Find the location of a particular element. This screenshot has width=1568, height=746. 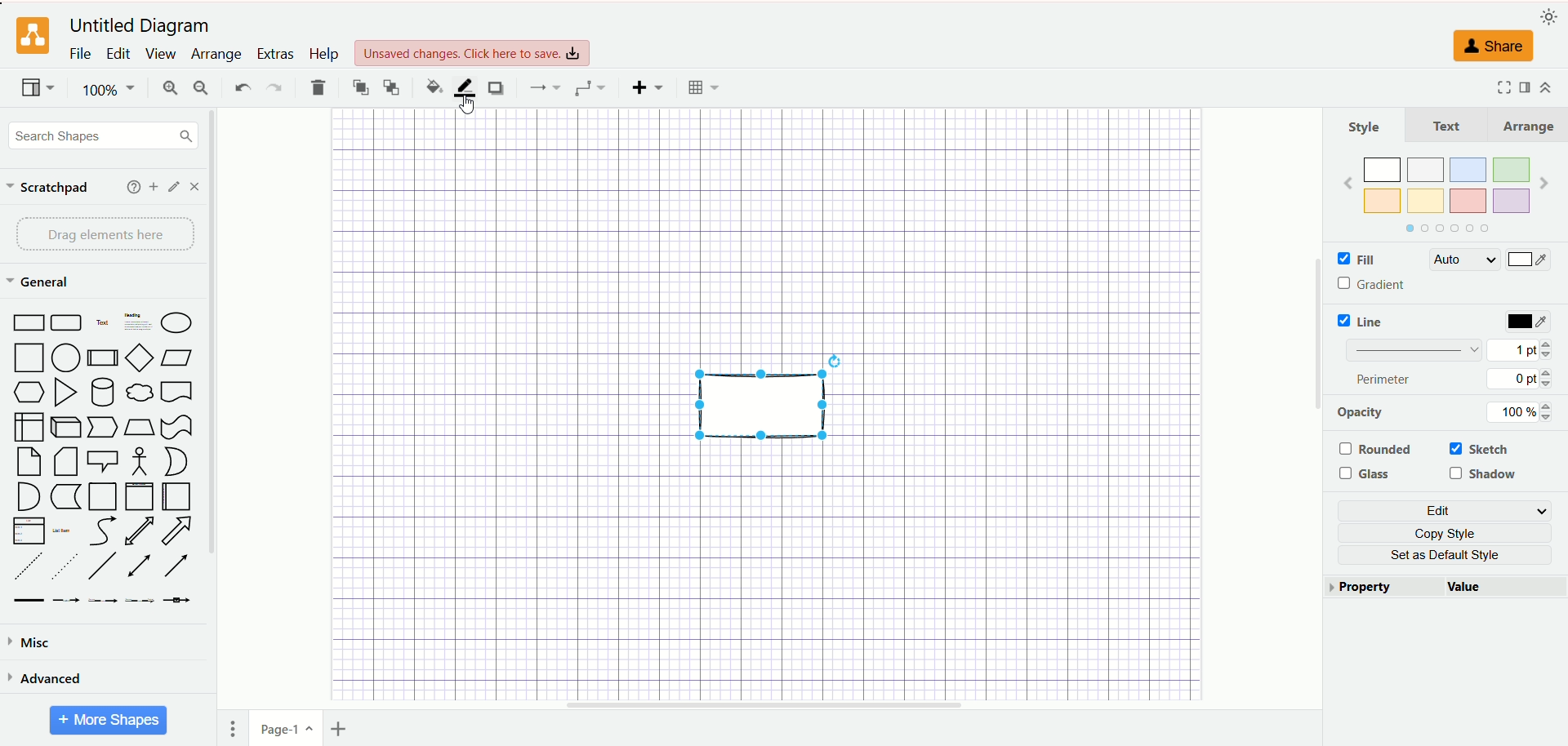

edit is located at coordinates (115, 52).